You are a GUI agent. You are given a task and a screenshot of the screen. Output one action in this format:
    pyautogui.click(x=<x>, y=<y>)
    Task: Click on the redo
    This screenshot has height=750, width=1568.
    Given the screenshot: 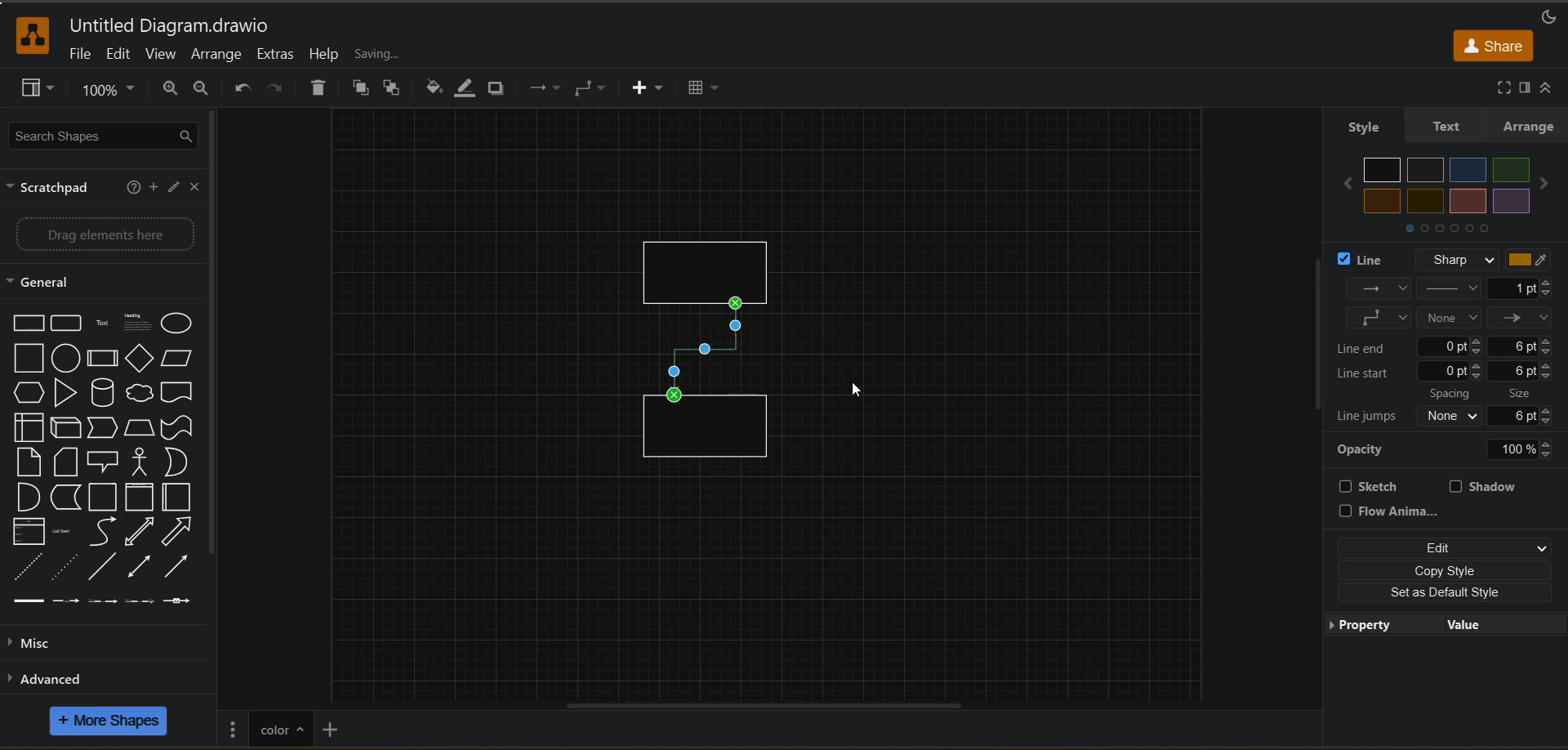 What is the action you would take?
    pyautogui.click(x=274, y=90)
    